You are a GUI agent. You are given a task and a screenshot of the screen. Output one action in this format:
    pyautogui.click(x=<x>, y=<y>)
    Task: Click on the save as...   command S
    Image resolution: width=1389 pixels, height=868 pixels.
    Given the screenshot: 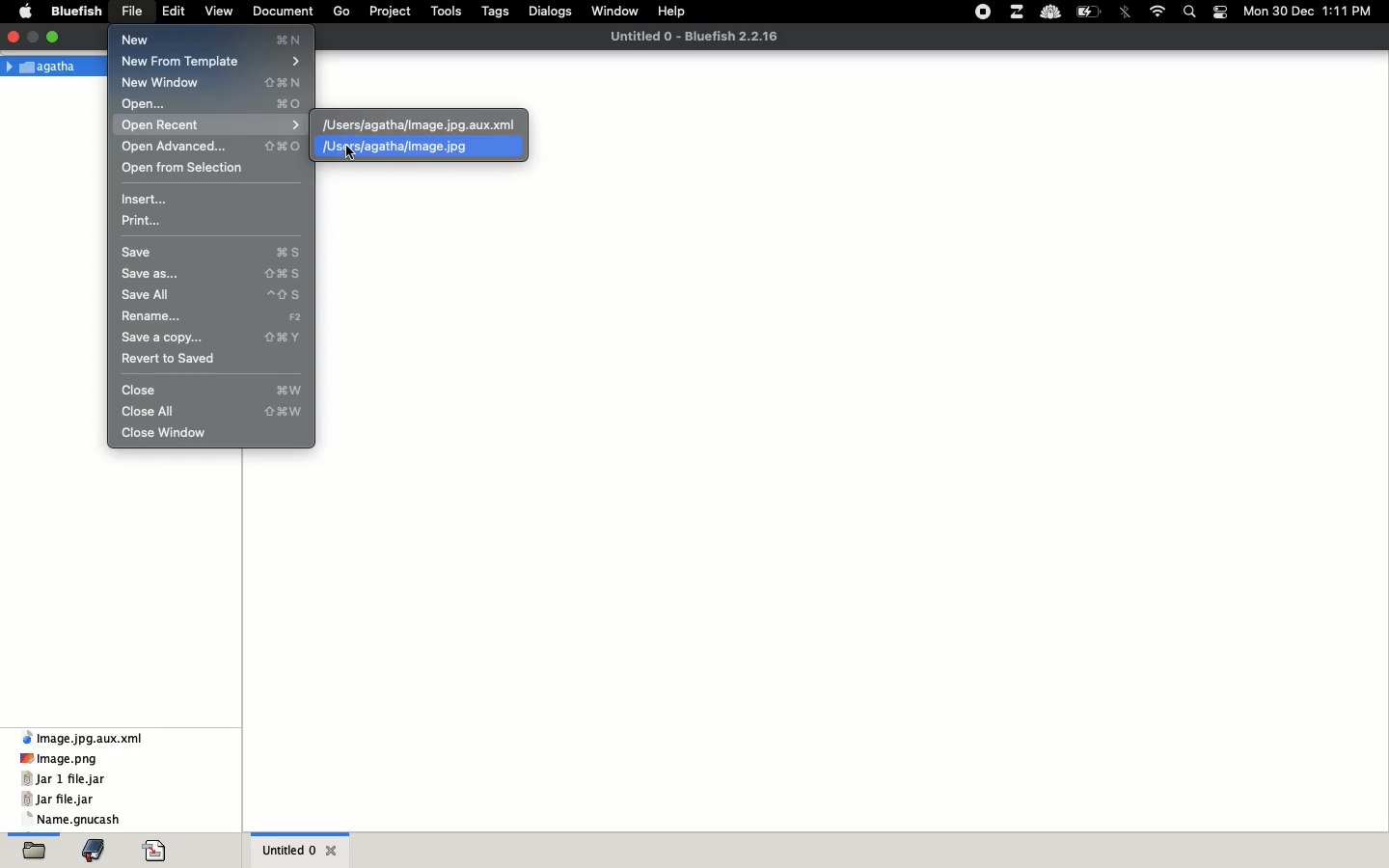 What is the action you would take?
    pyautogui.click(x=209, y=276)
    